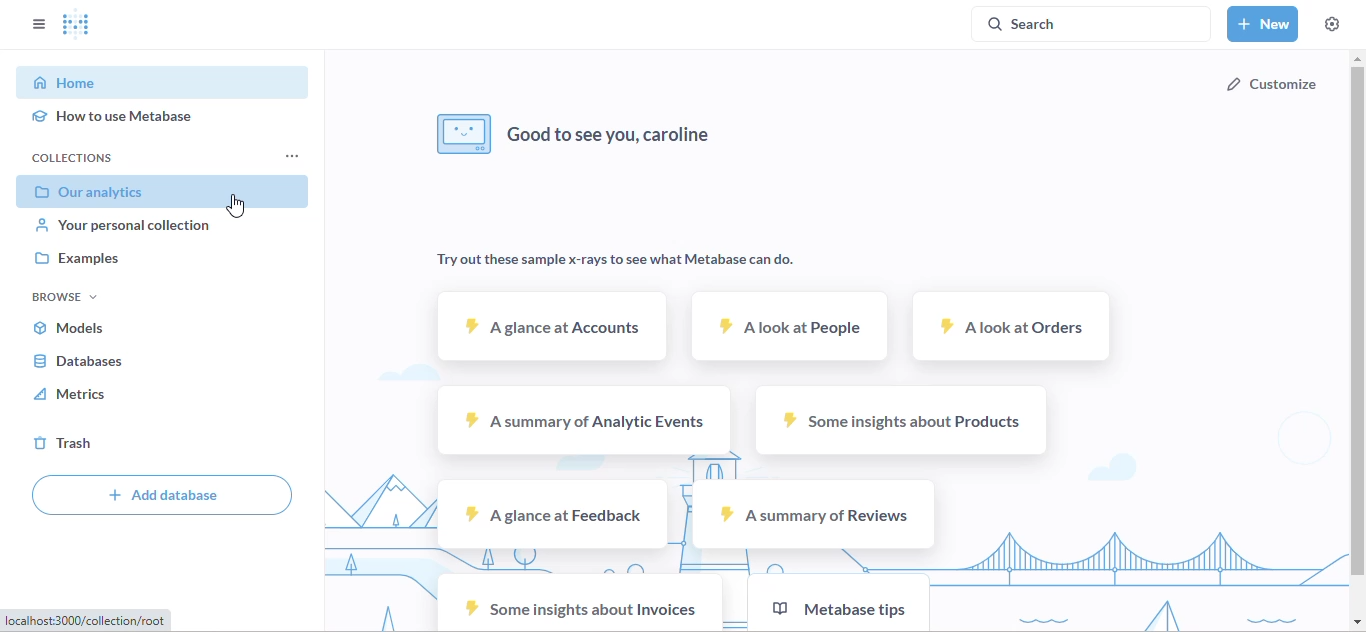 The image size is (1366, 632). What do you see at coordinates (87, 621) in the screenshot?
I see `link` at bounding box center [87, 621].